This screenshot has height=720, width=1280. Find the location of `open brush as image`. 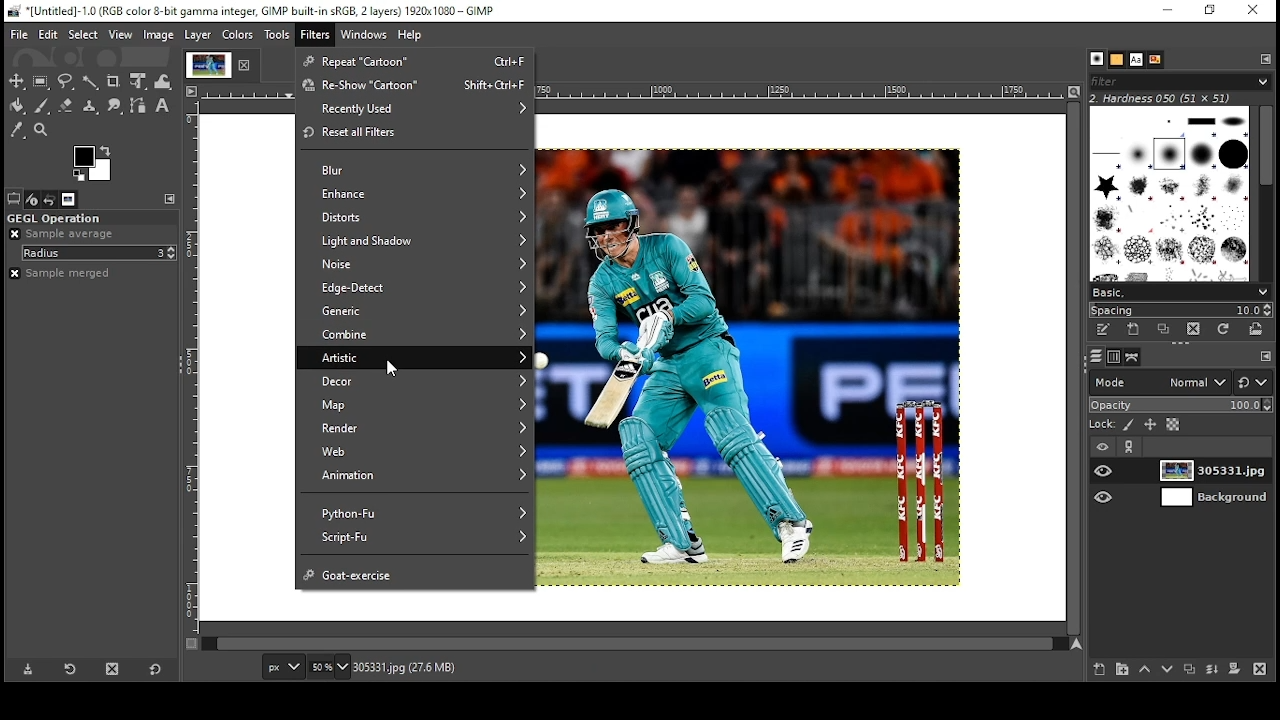

open brush as image is located at coordinates (1257, 329).